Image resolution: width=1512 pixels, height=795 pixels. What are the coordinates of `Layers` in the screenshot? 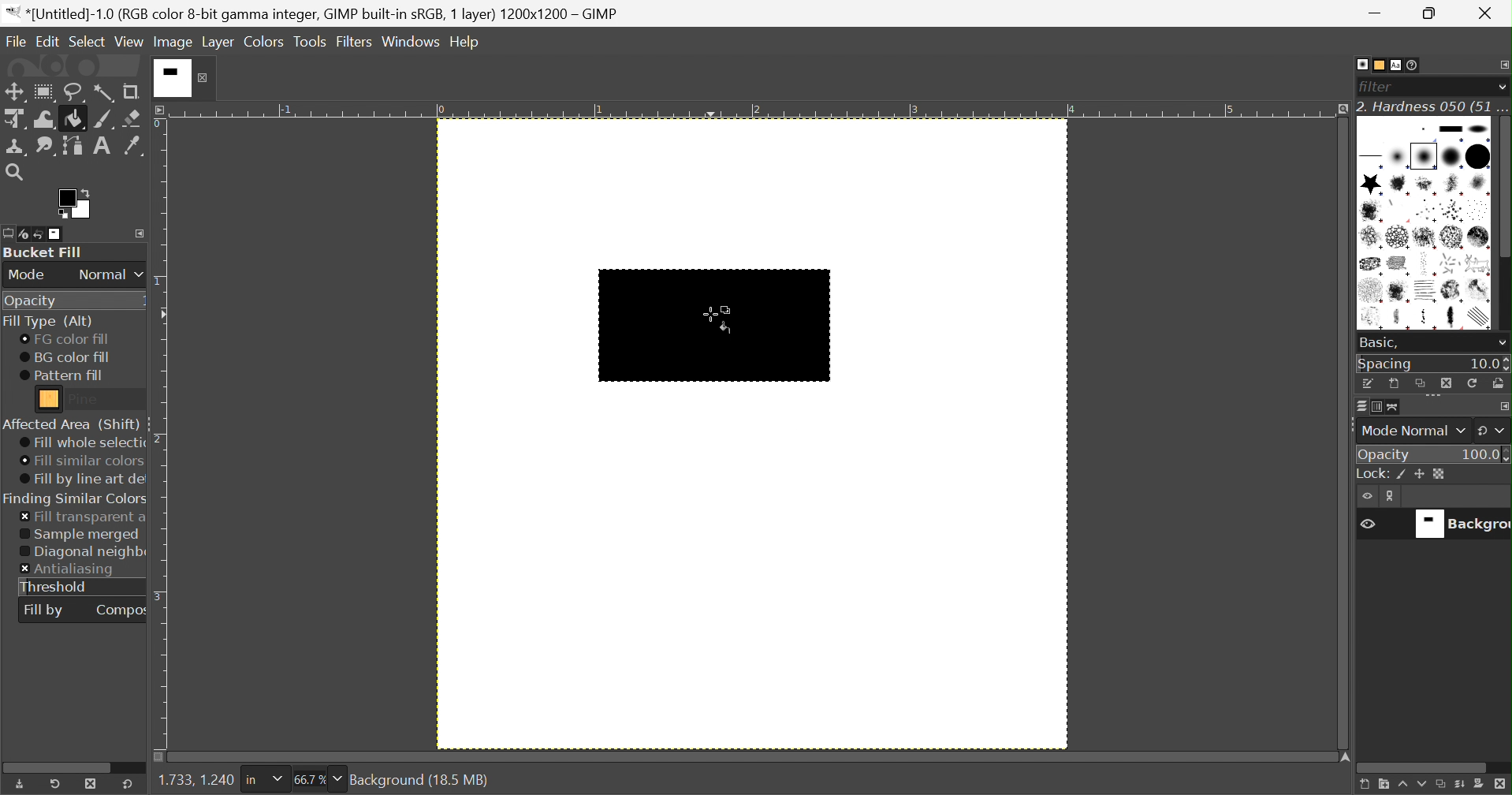 It's located at (1361, 406).